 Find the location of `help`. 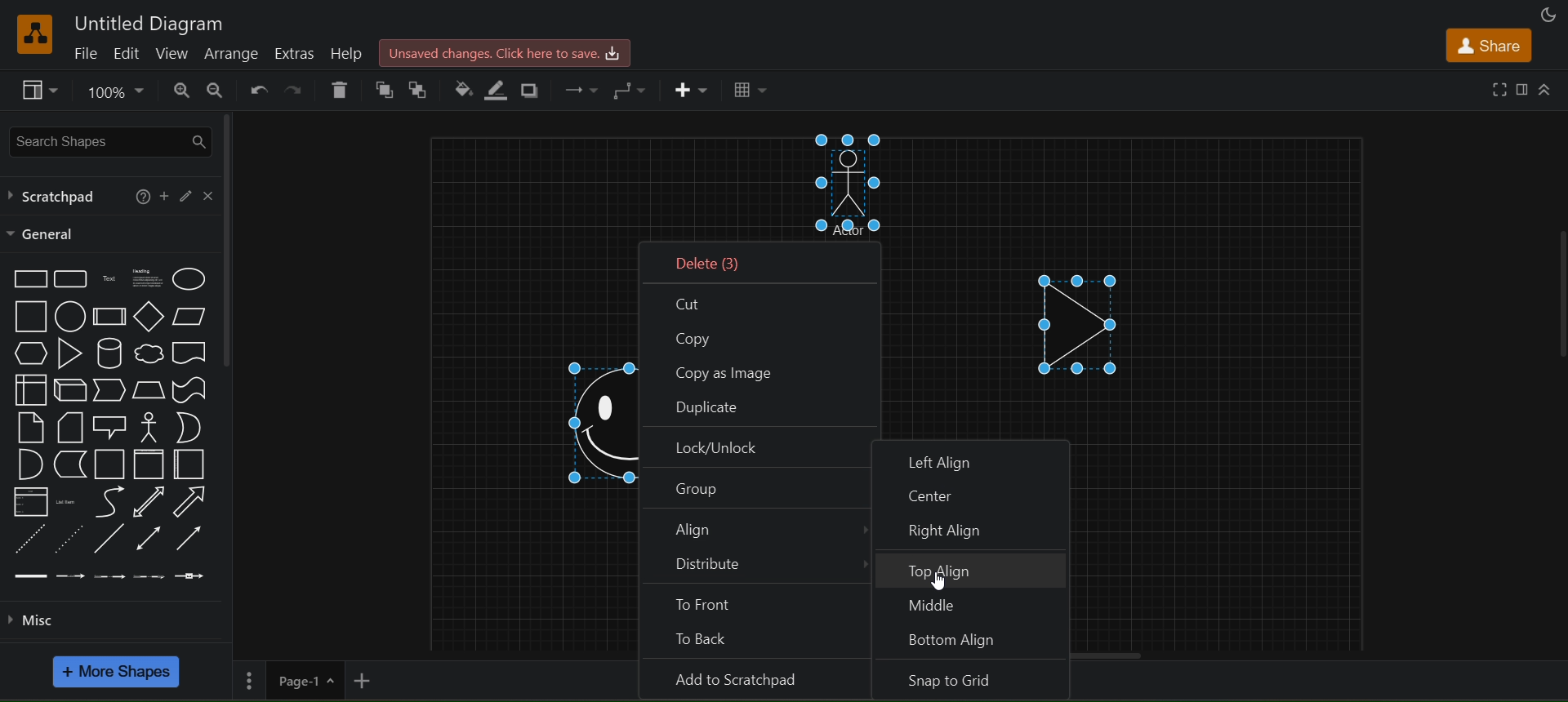

help is located at coordinates (349, 53).